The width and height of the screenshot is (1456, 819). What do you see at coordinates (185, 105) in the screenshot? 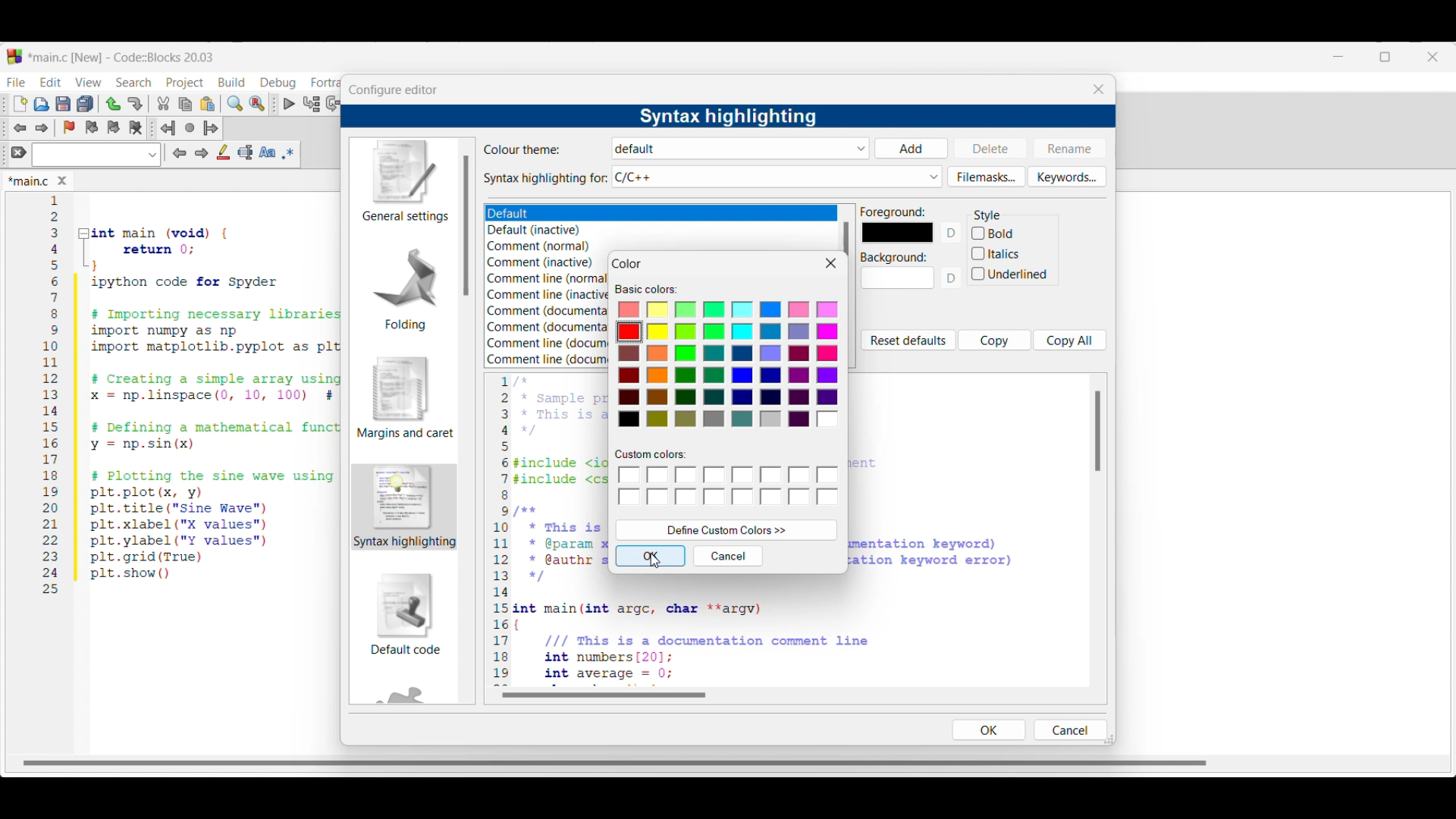
I see `Copy` at bounding box center [185, 105].